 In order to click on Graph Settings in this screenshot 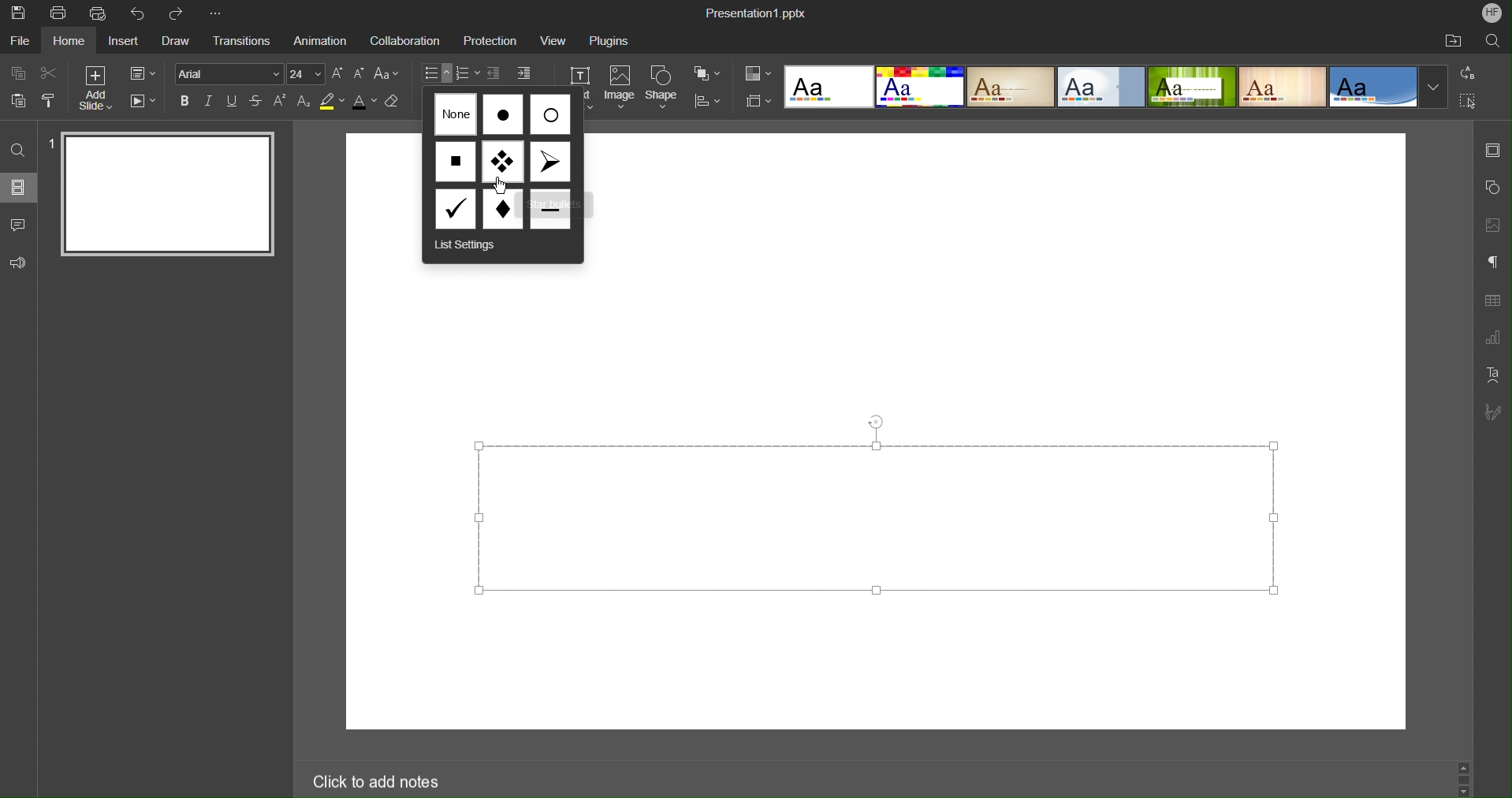, I will do `click(1494, 334)`.